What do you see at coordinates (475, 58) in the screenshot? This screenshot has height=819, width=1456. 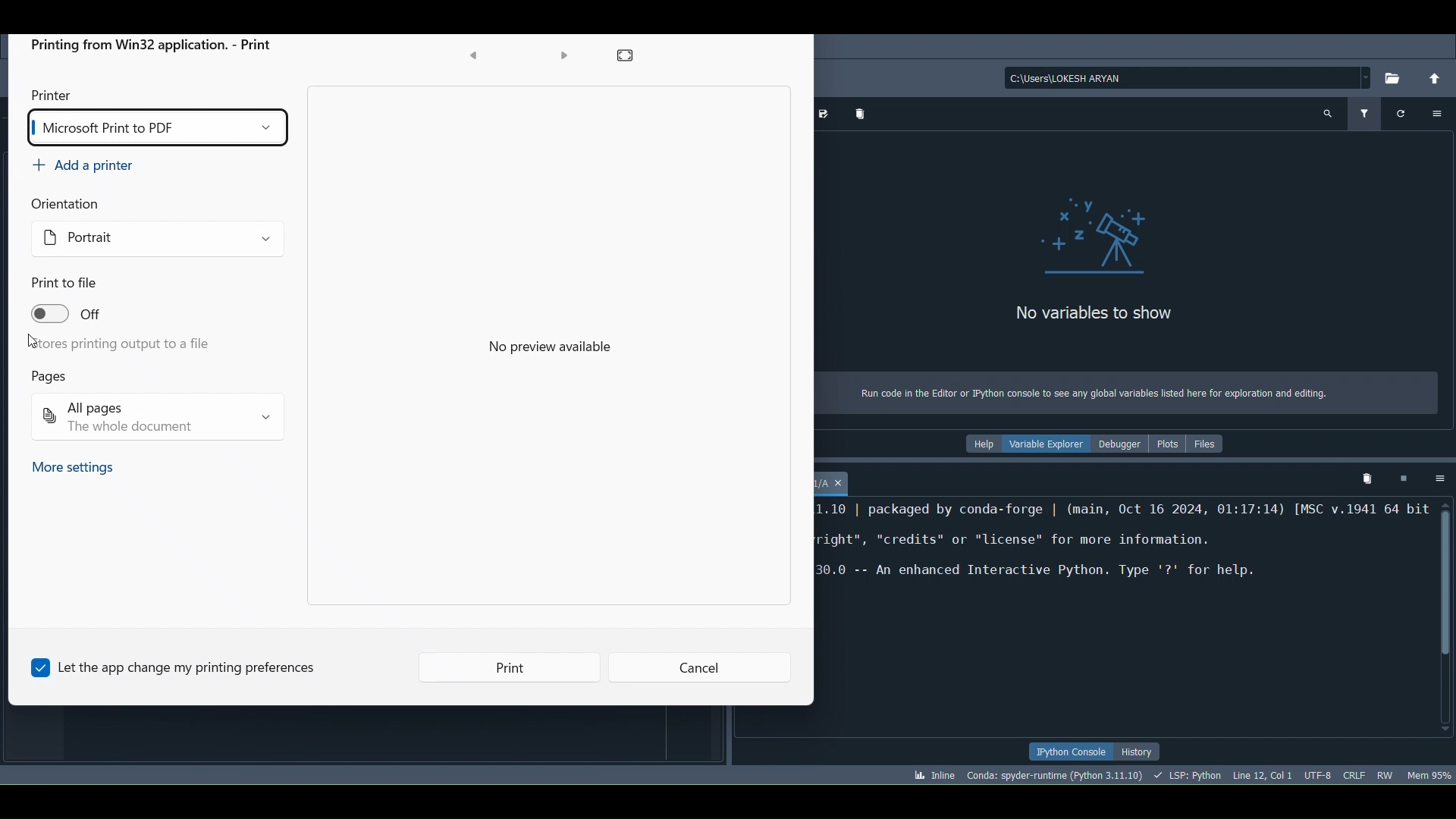 I see `Left ` at bounding box center [475, 58].